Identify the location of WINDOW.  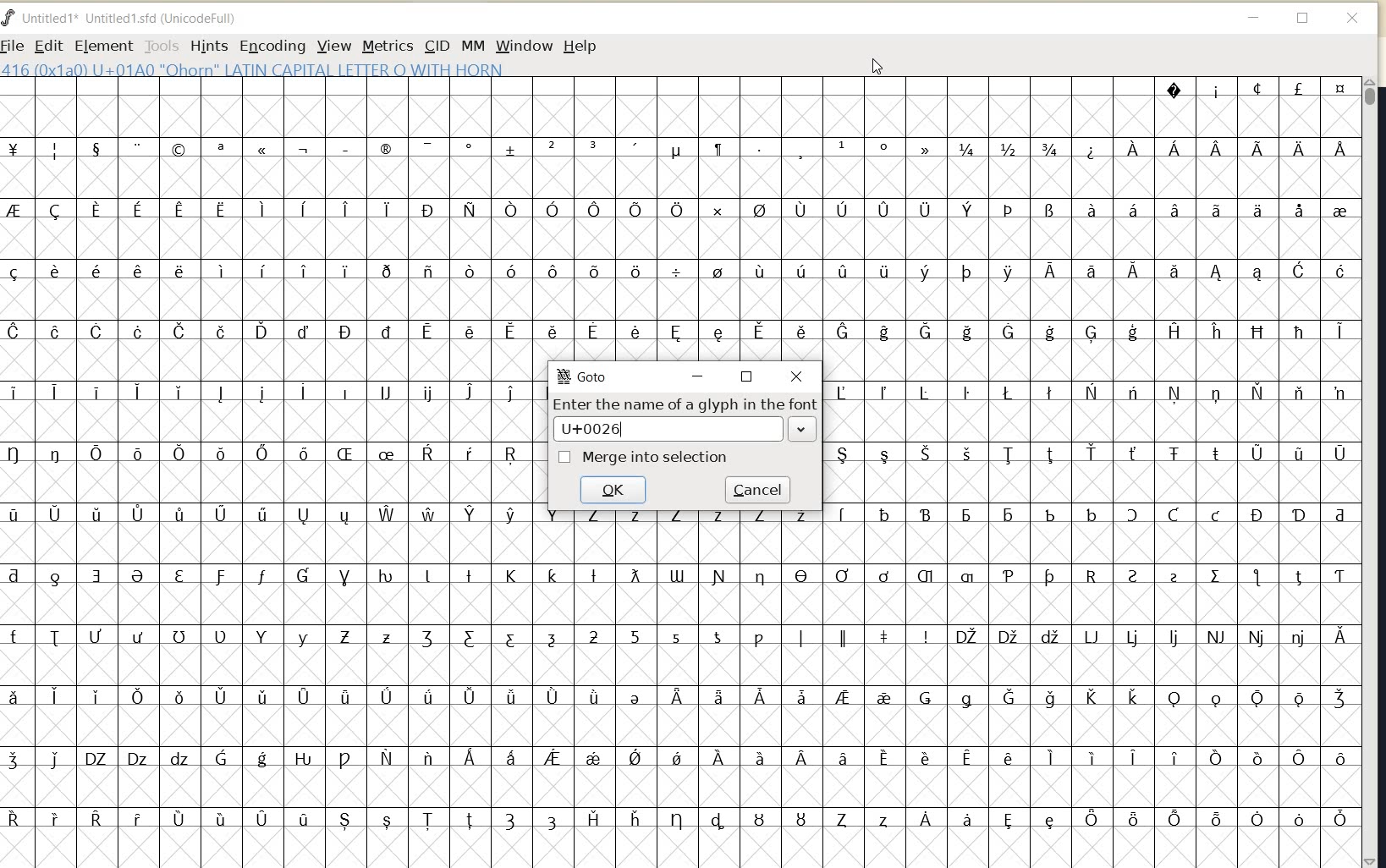
(525, 46).